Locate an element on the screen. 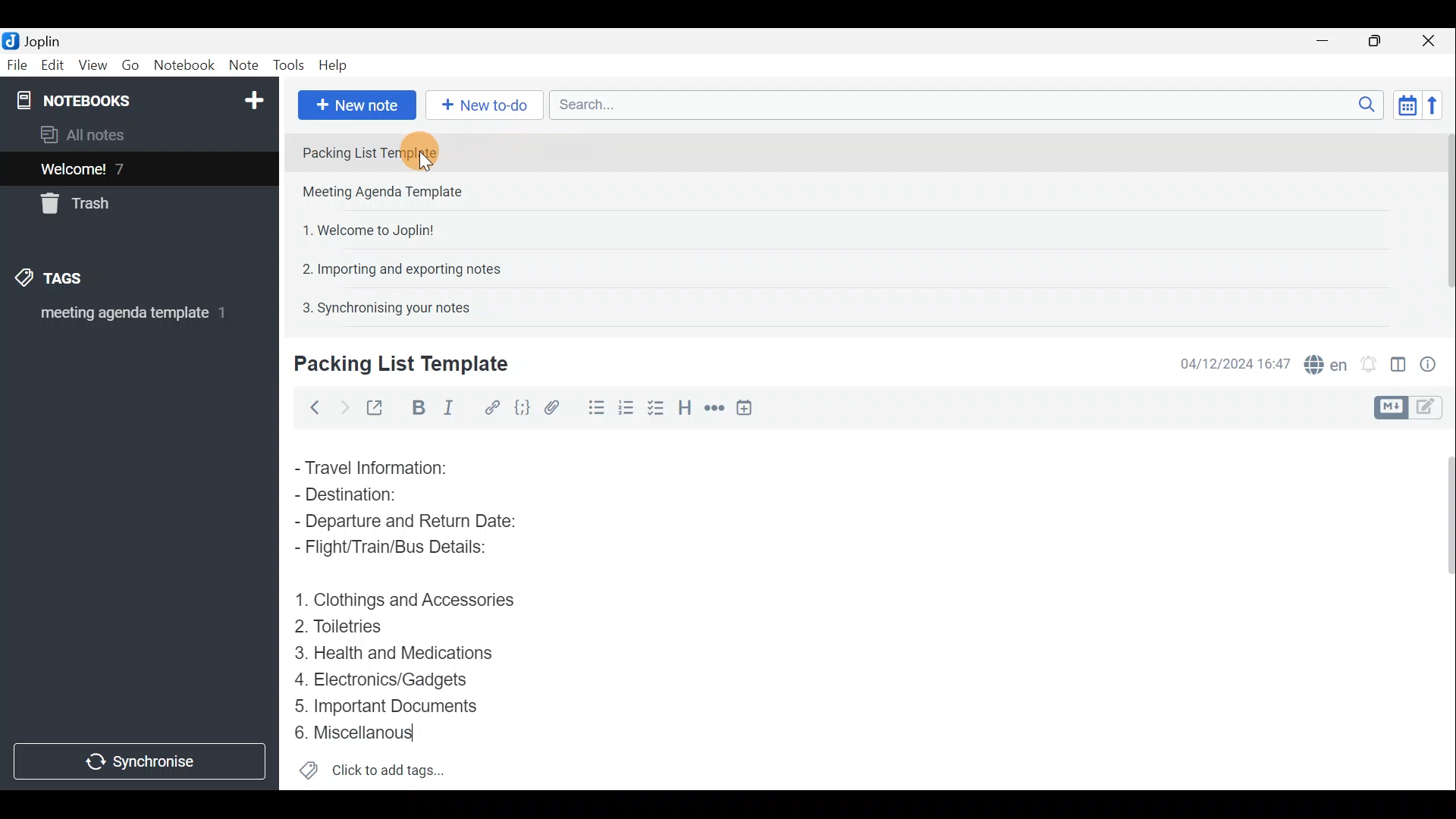 The width and height of the screenshot is (1456, 819). Health and Medications is located at coordinates (403, 654).